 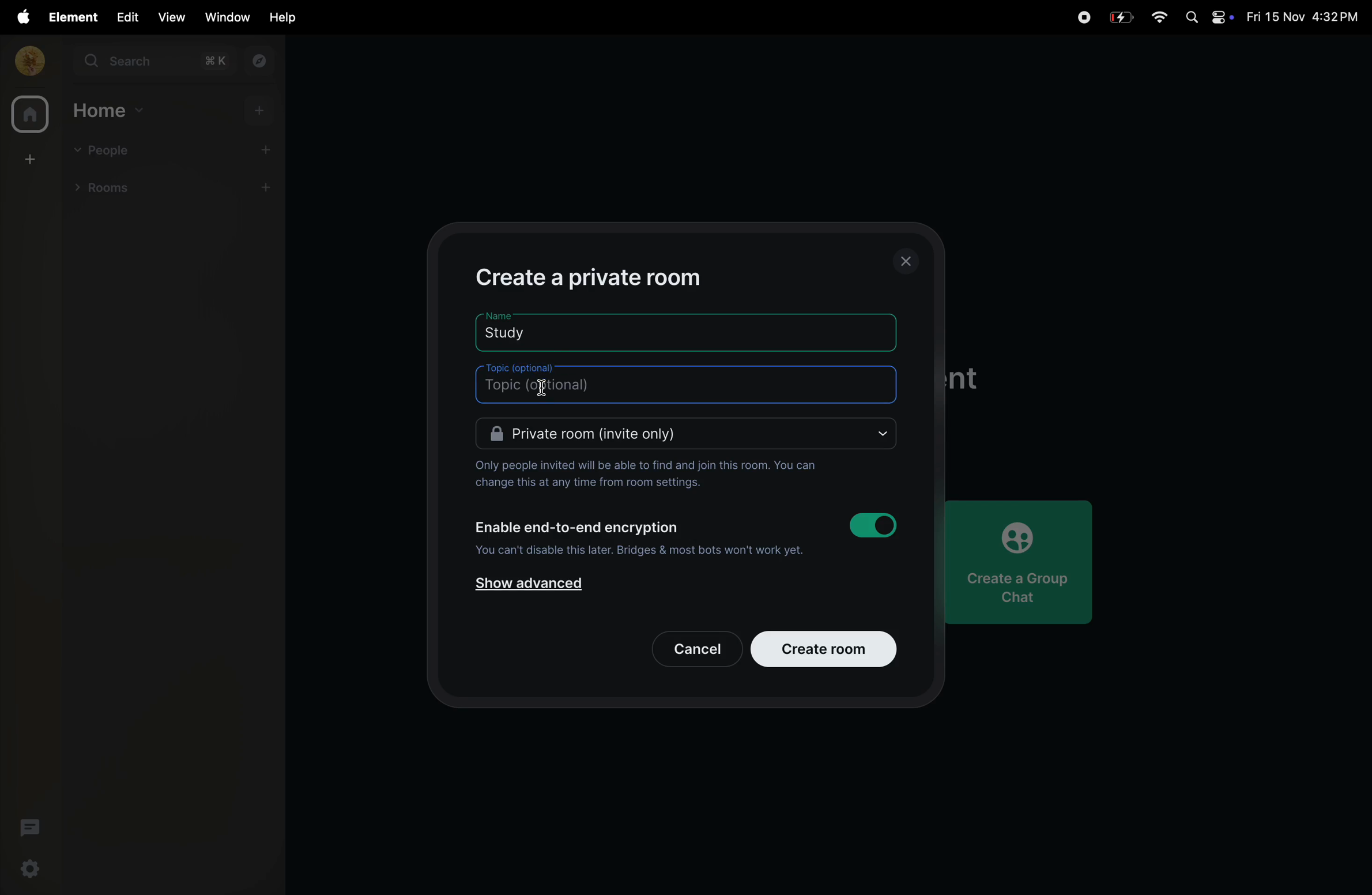 What do you see at coordinates (1122, 16) in the screenshot?
I see `battery` at bounding box center [1122, 16].